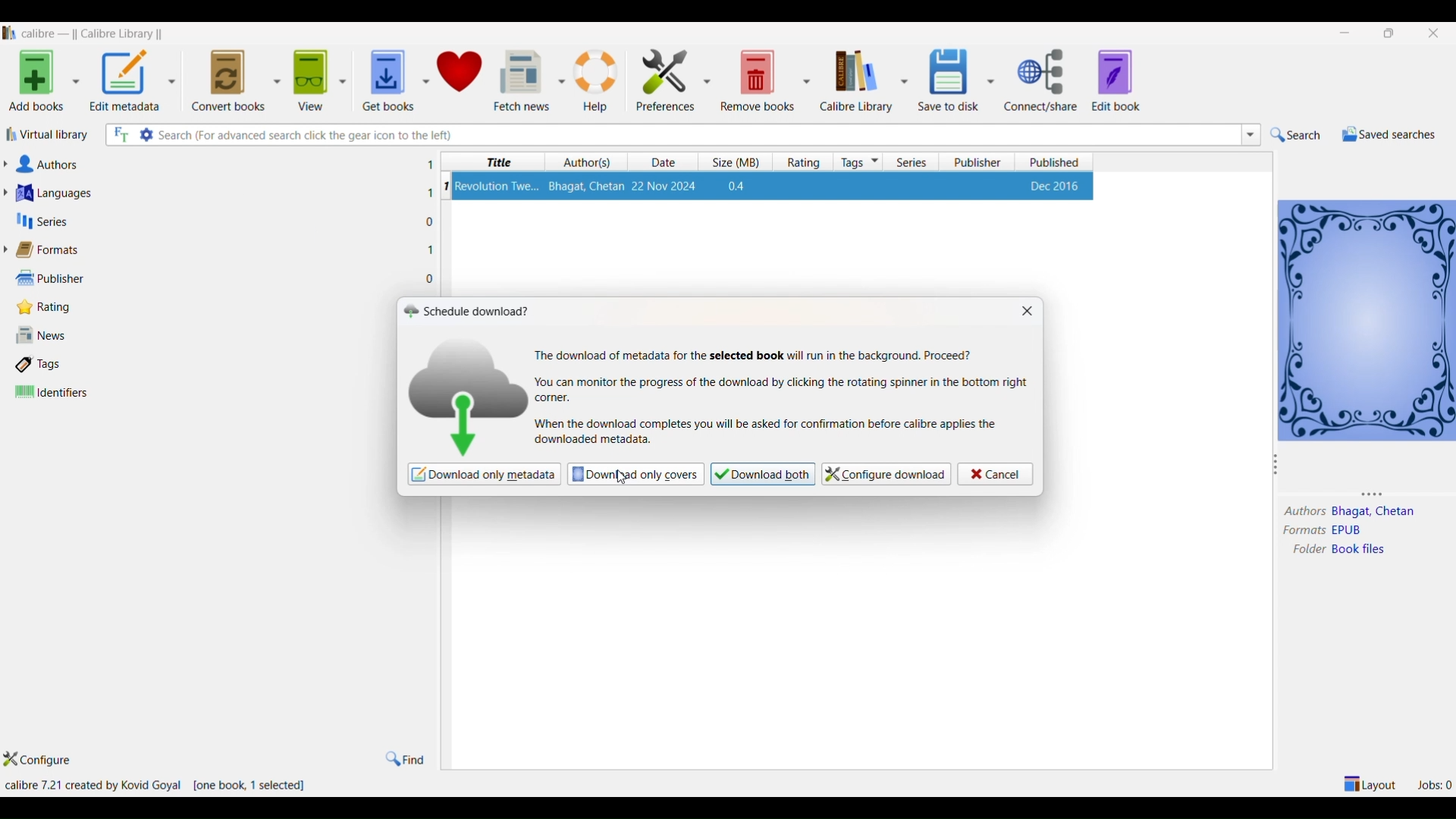  Describe the element at coordinates (42, 221) in the screenshot. I see `series and number of series` at that location.